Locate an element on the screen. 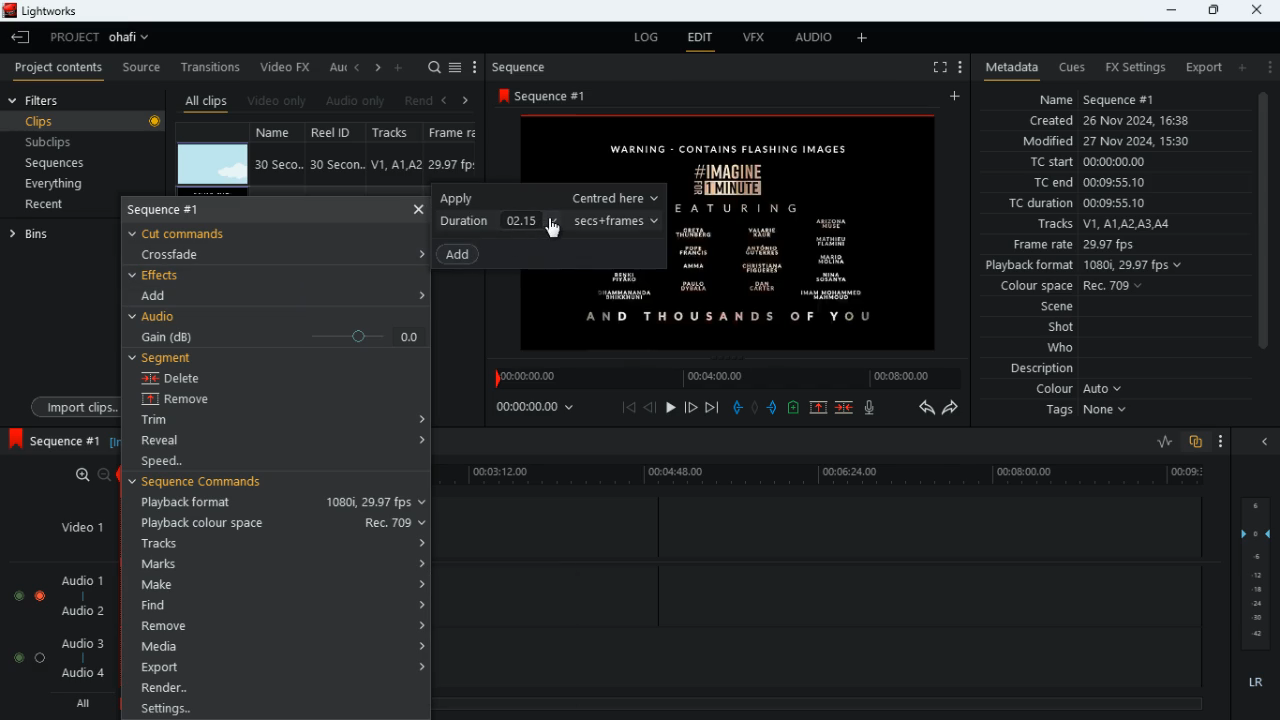 The width and height of the screenshot is (1280, 720). 30 secon... is located at coordinates (334, 165).